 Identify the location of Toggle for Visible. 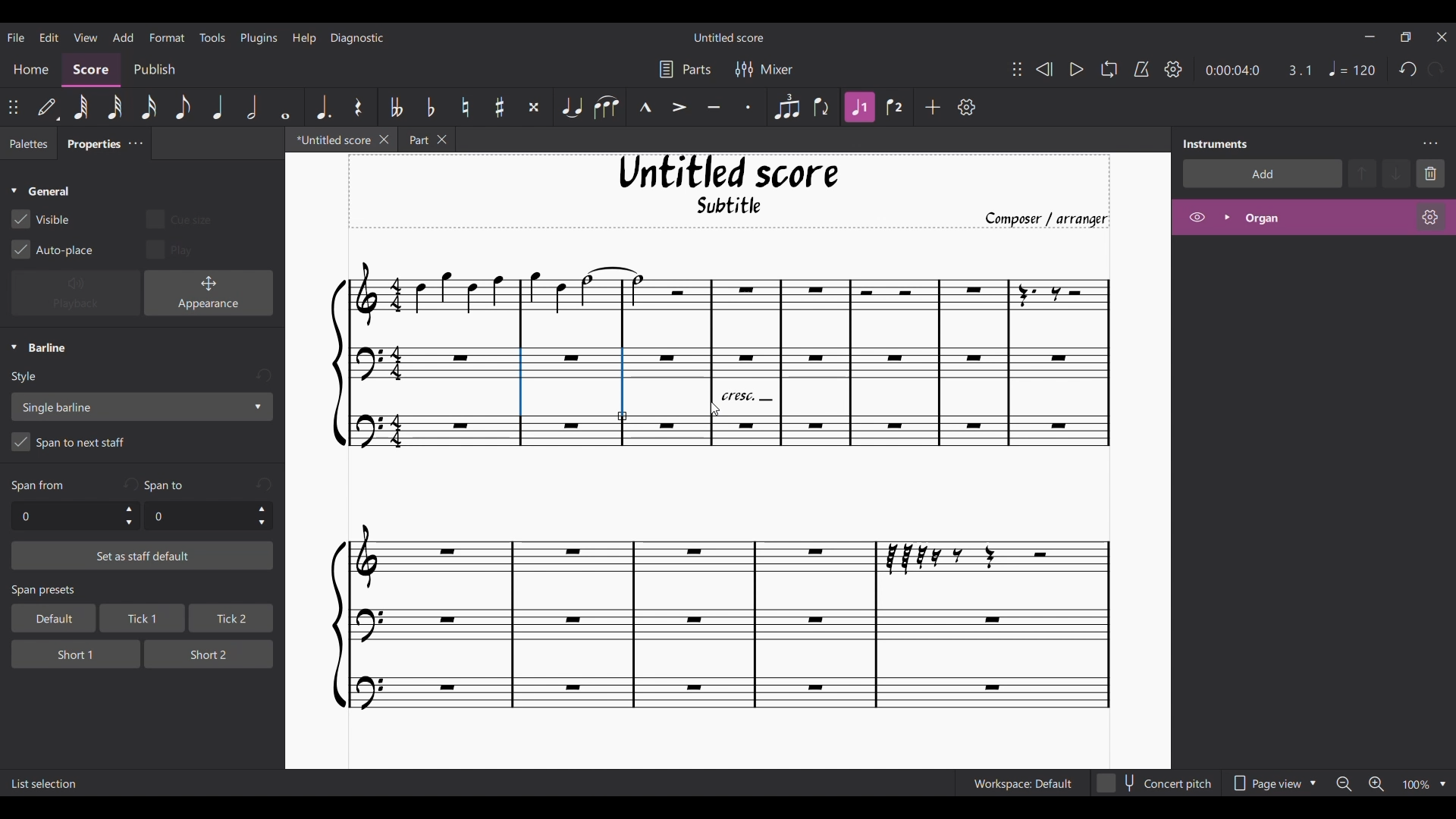
(41, 219).